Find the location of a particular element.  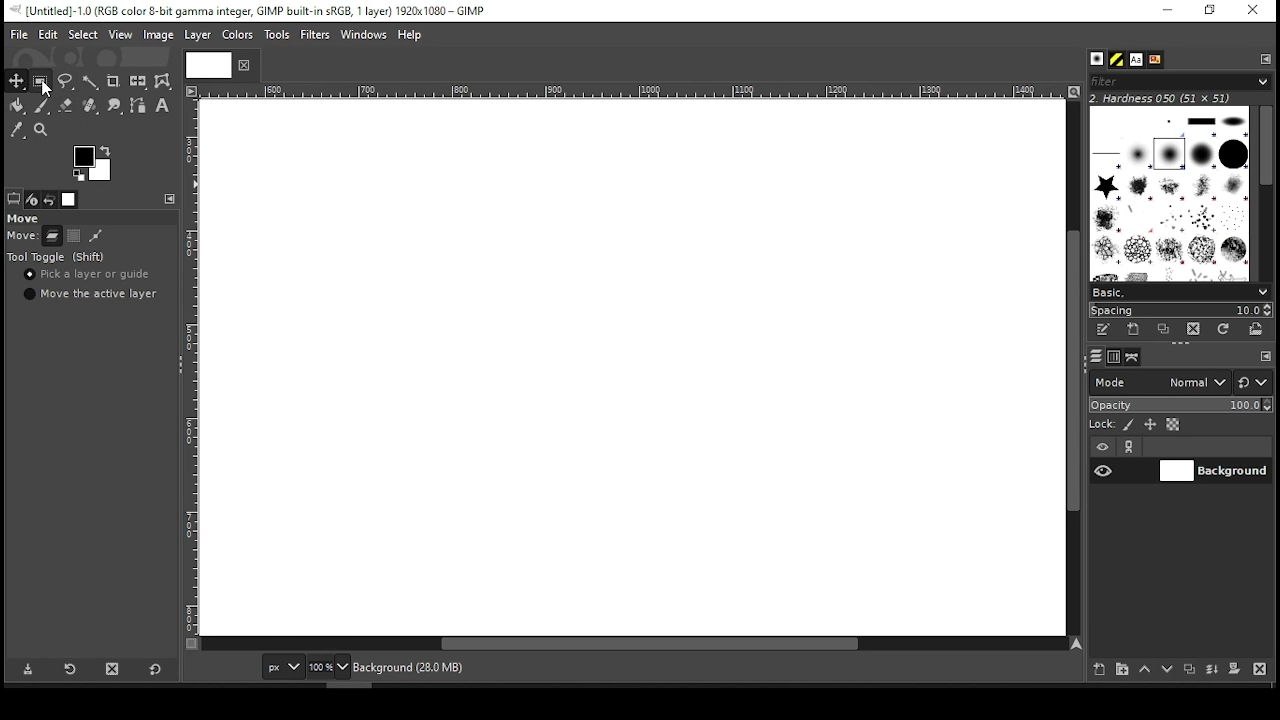

fuzzy selection tool is located at coordinates (91, 82).